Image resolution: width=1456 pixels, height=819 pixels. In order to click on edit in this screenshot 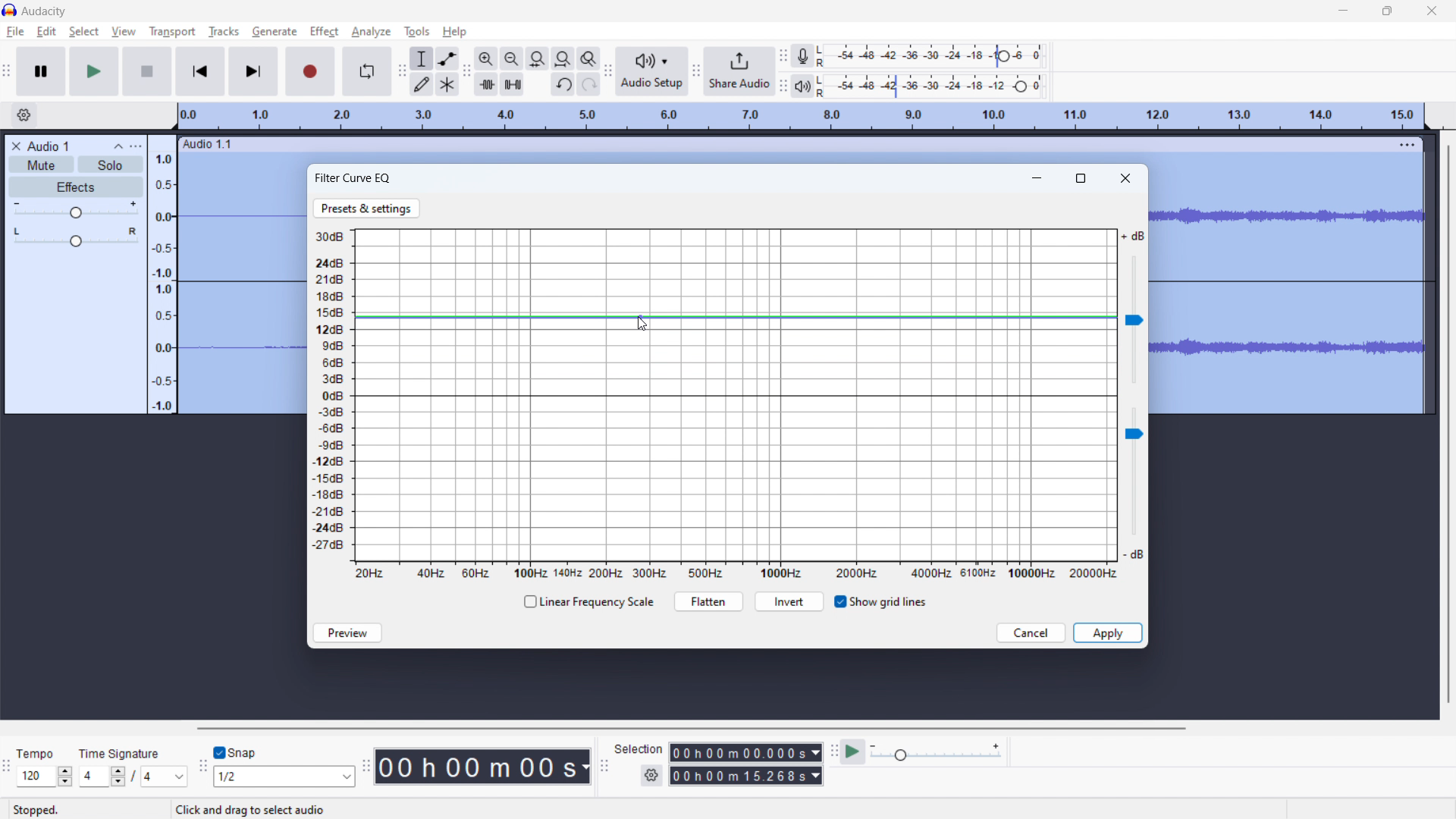, I will do `click(47, 32)`.